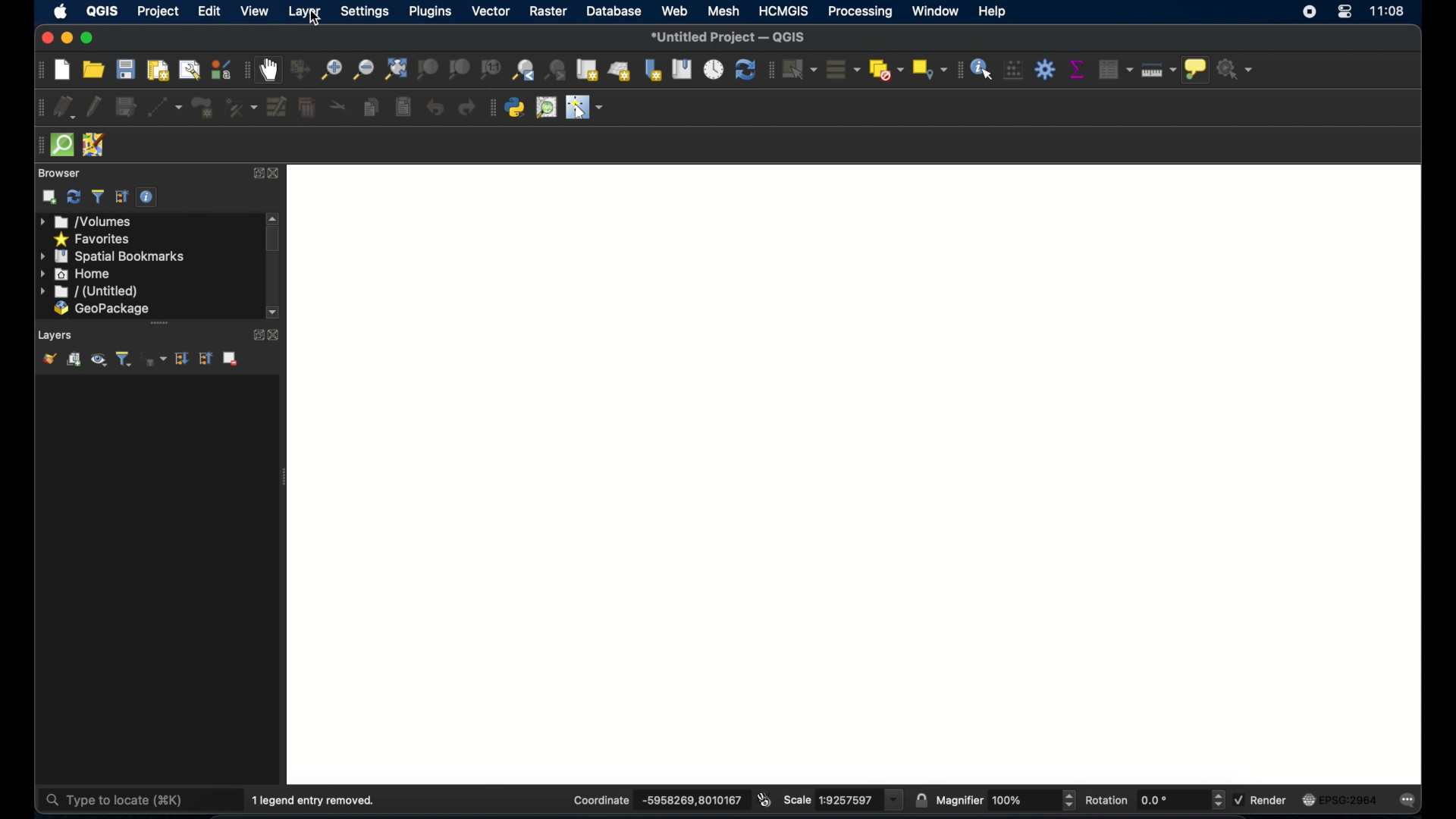 Image resolution: width=1456 pixels, height=819 pixels. I want to click on map navigation toolbar, so click(247, 70).